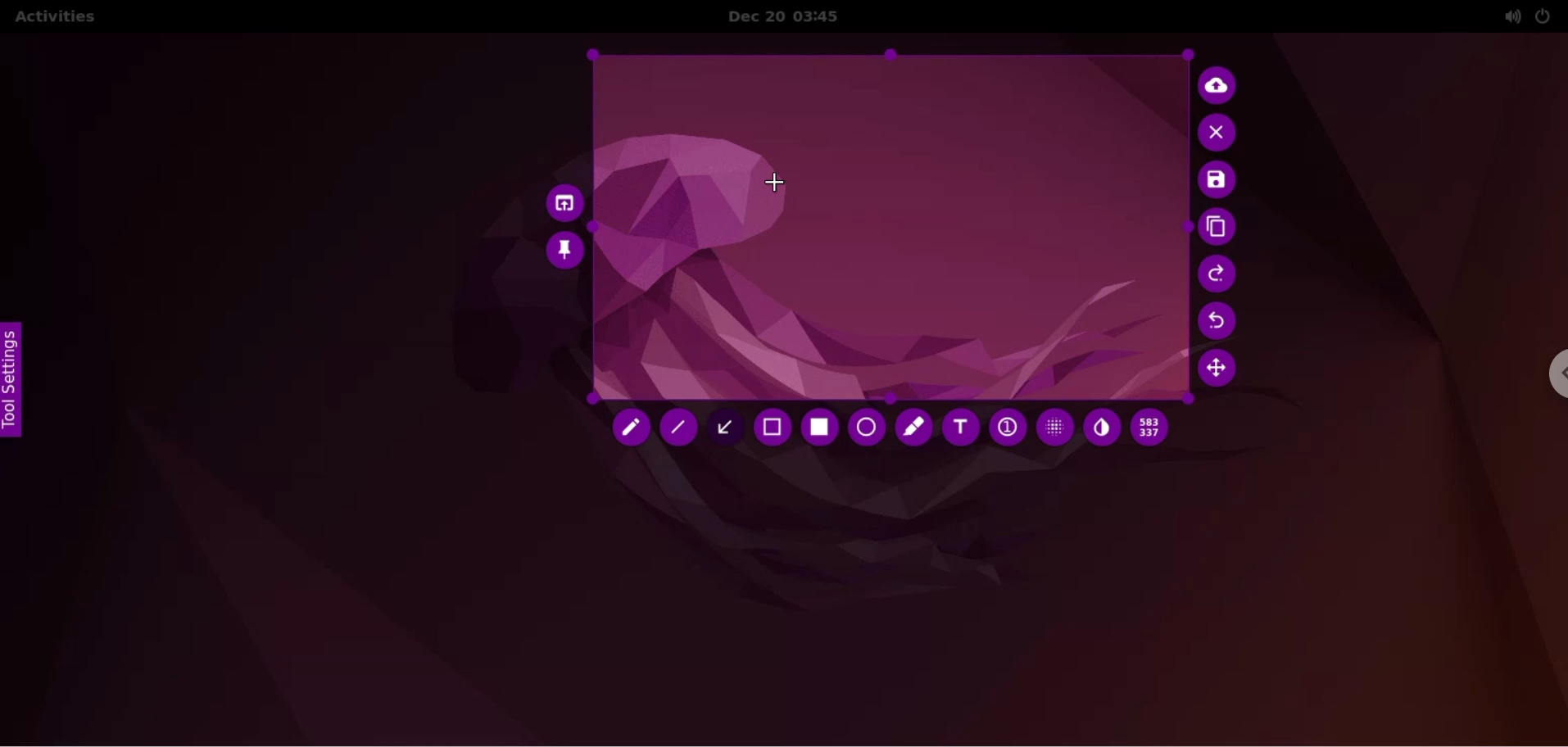 The width and height of the screenshot is (1568, 747). I want to click on upload, so click(1221, 84).